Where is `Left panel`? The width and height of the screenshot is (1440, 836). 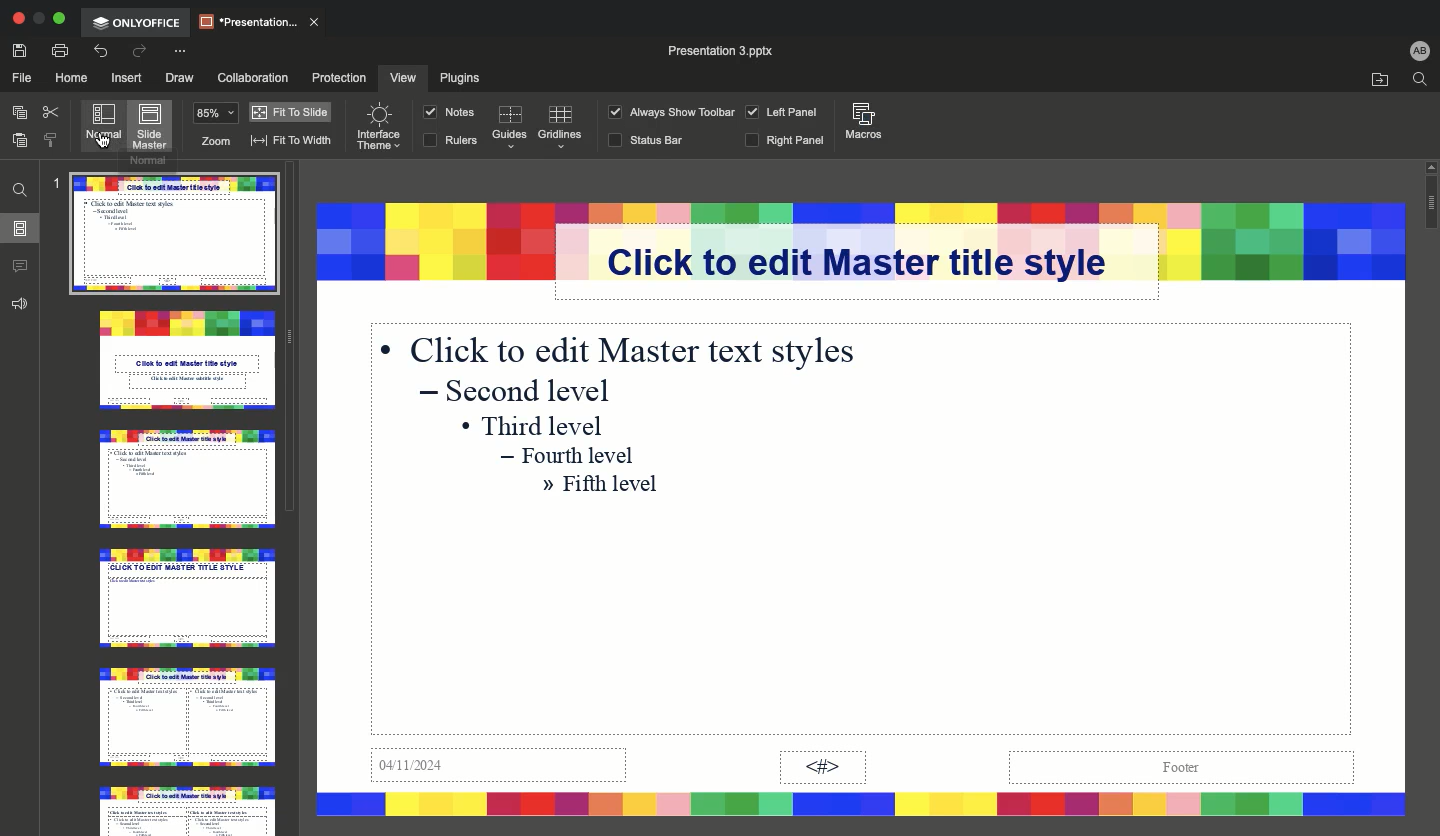 Left panel is located at coordinates (778, 112).